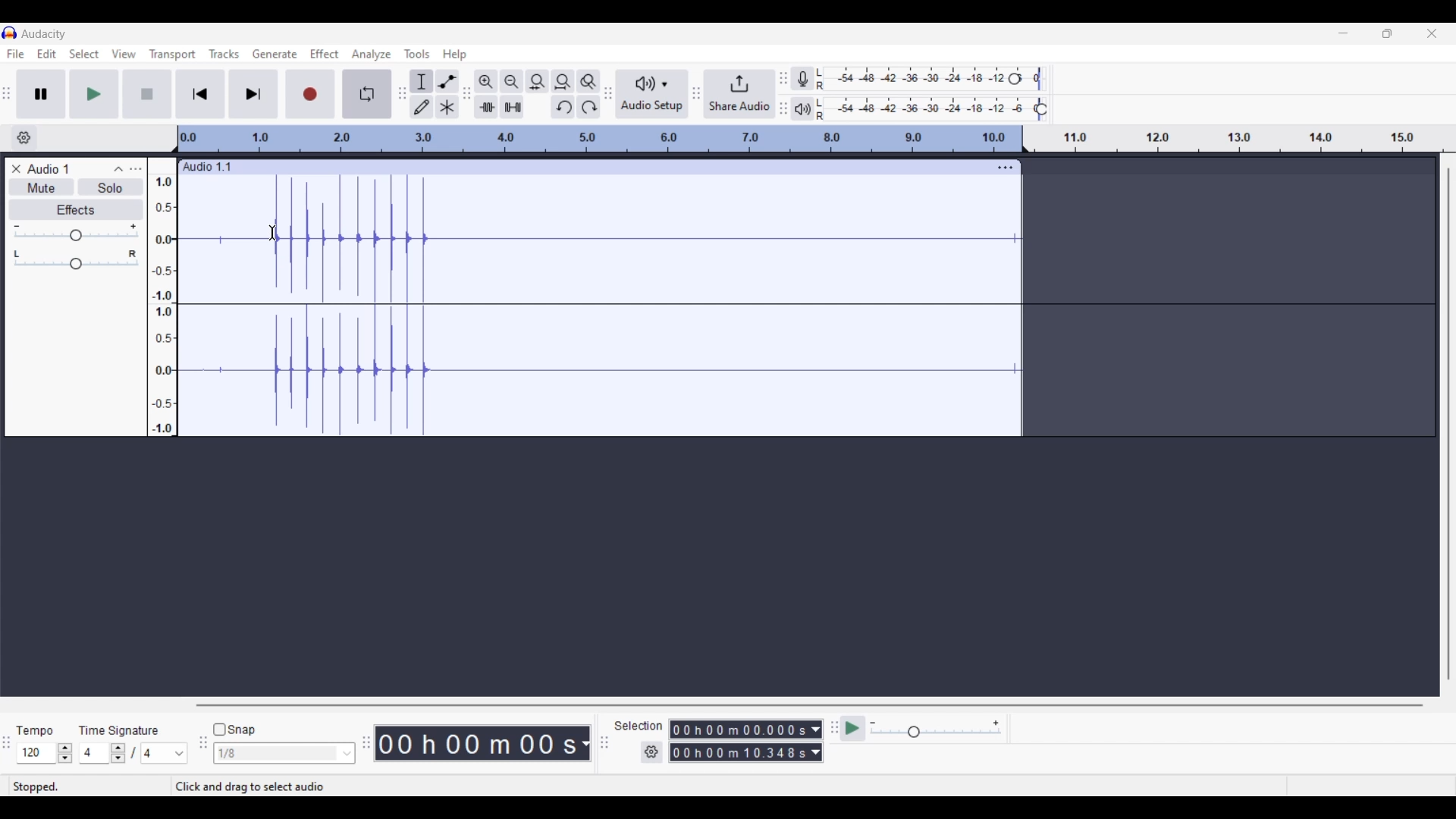  I want to click on Type in snap, so click(277, 754).